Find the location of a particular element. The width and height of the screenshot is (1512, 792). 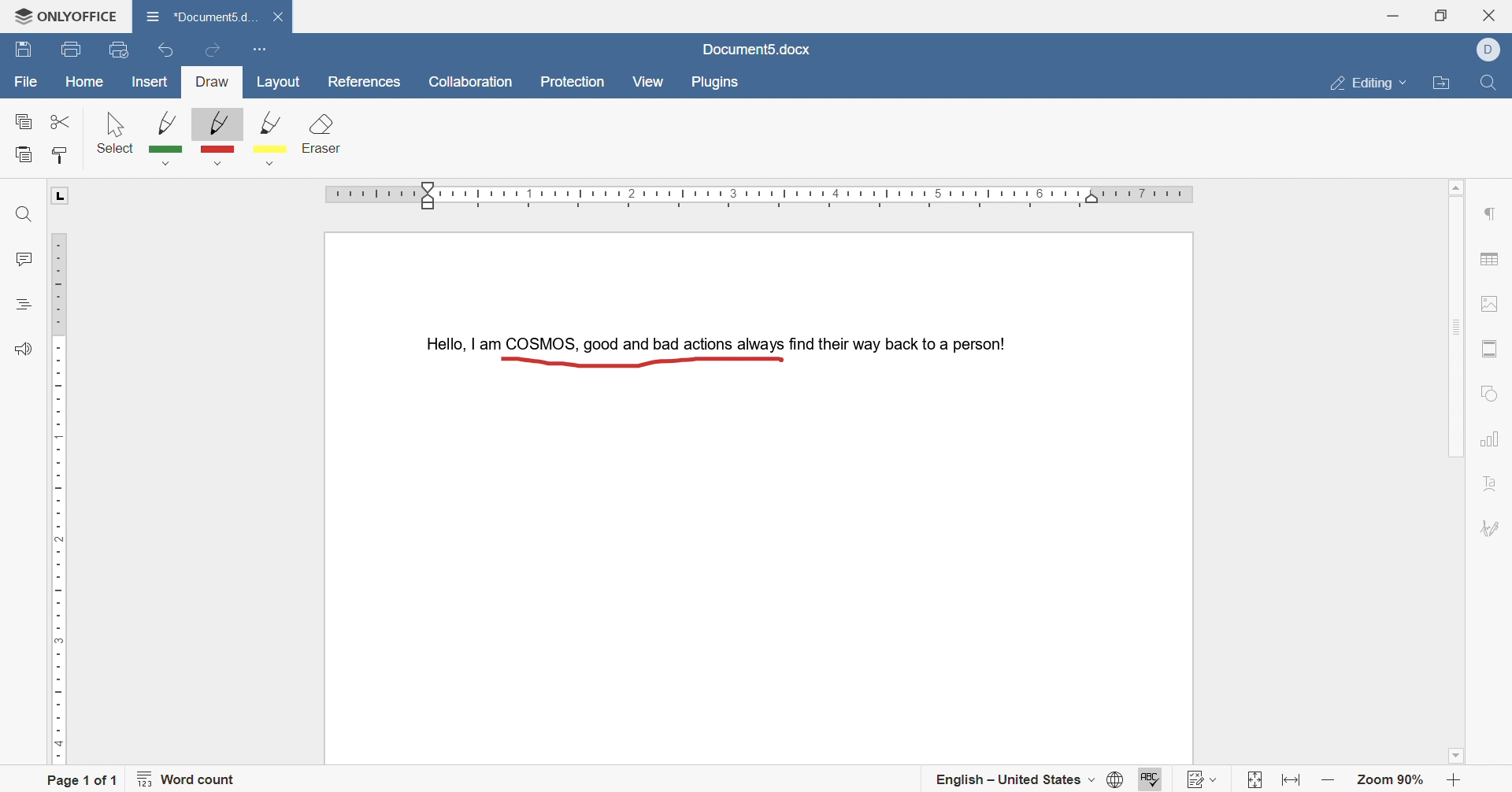

chart settings is located at coordinates (1490, 441).